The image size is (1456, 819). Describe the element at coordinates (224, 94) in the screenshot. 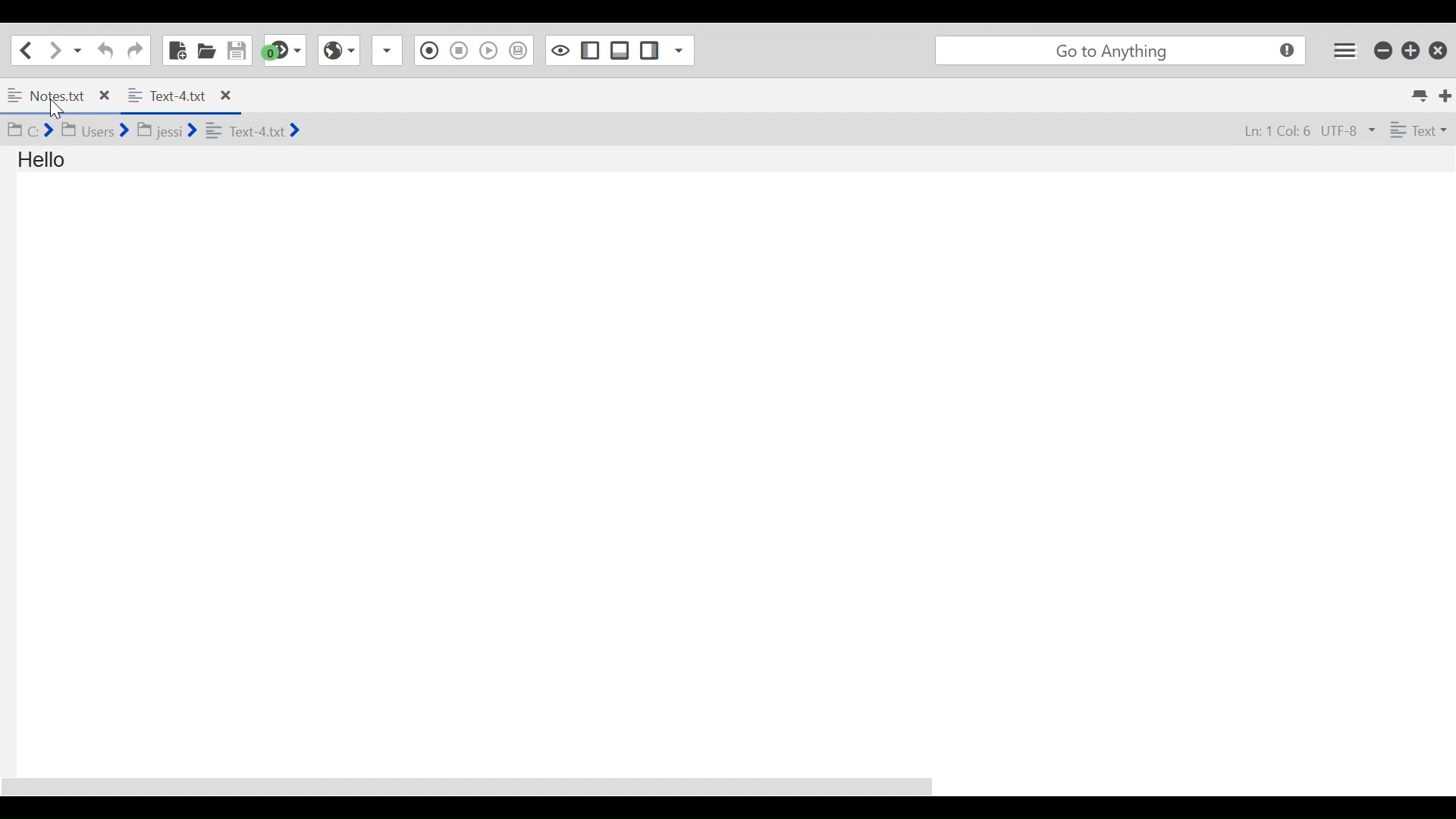

I see `close` at that location.